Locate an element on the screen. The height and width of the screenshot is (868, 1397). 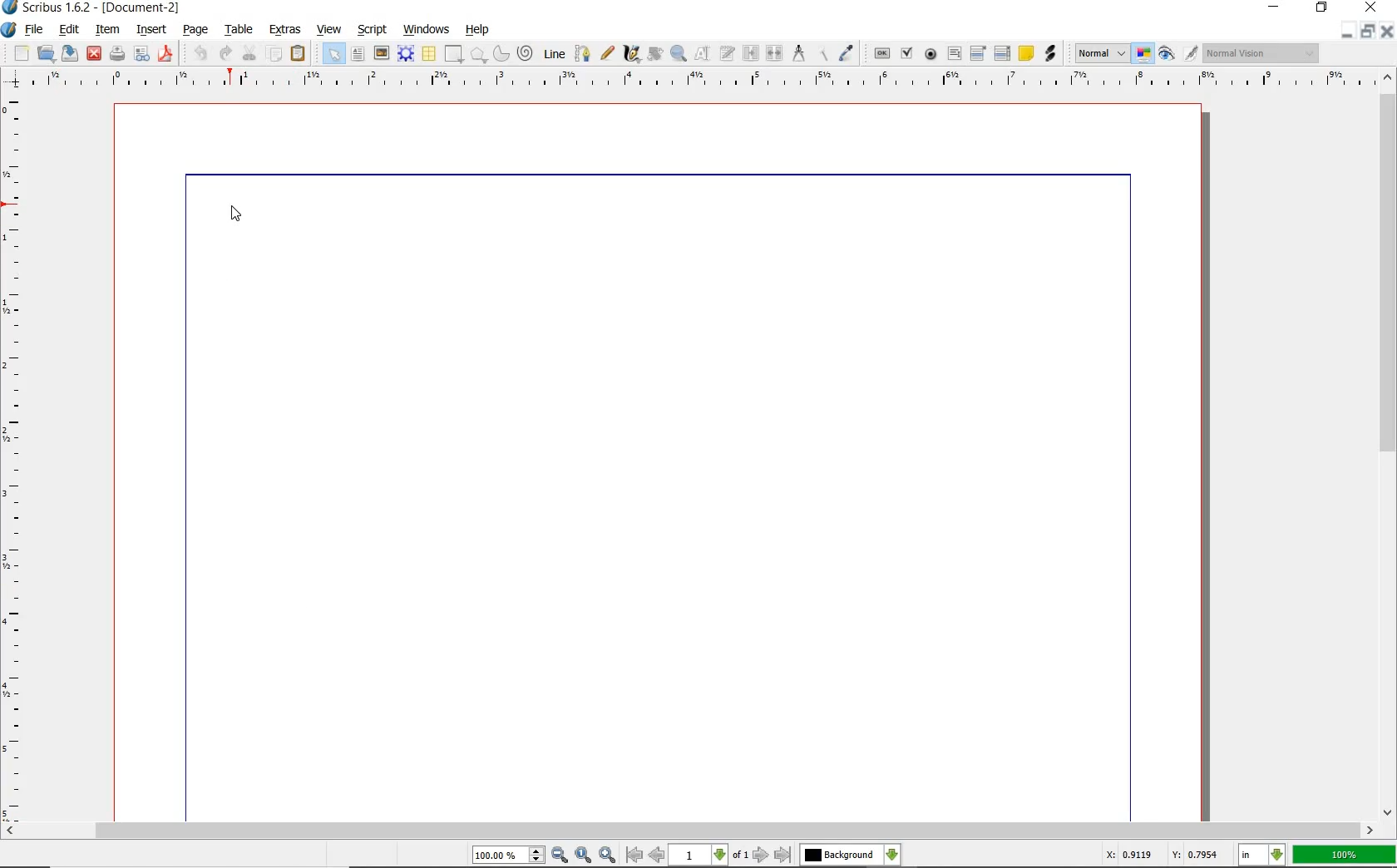
page is located at coordinates (198, 32).